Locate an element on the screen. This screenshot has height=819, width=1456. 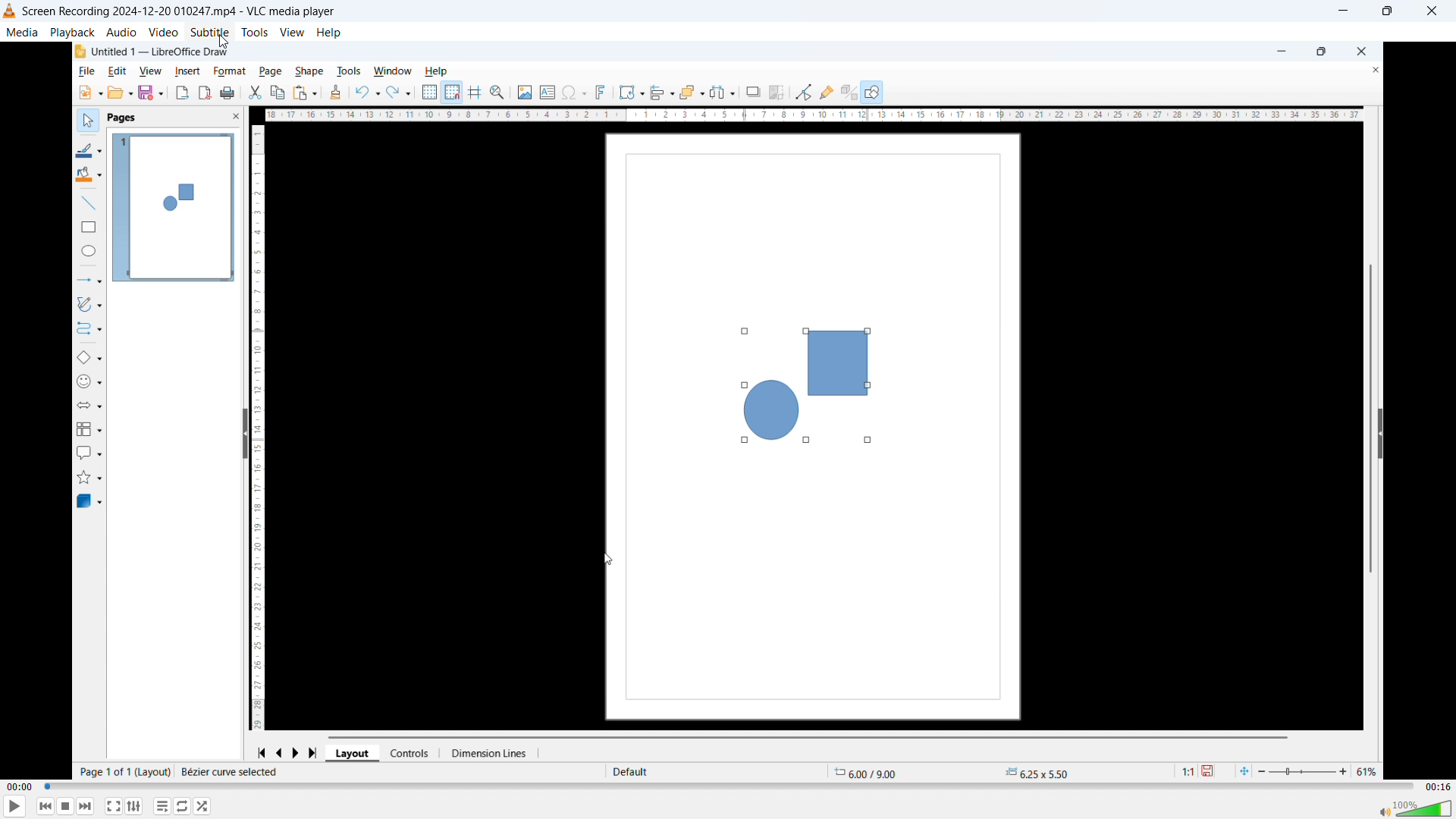
page is located at coordinates (269, 71).